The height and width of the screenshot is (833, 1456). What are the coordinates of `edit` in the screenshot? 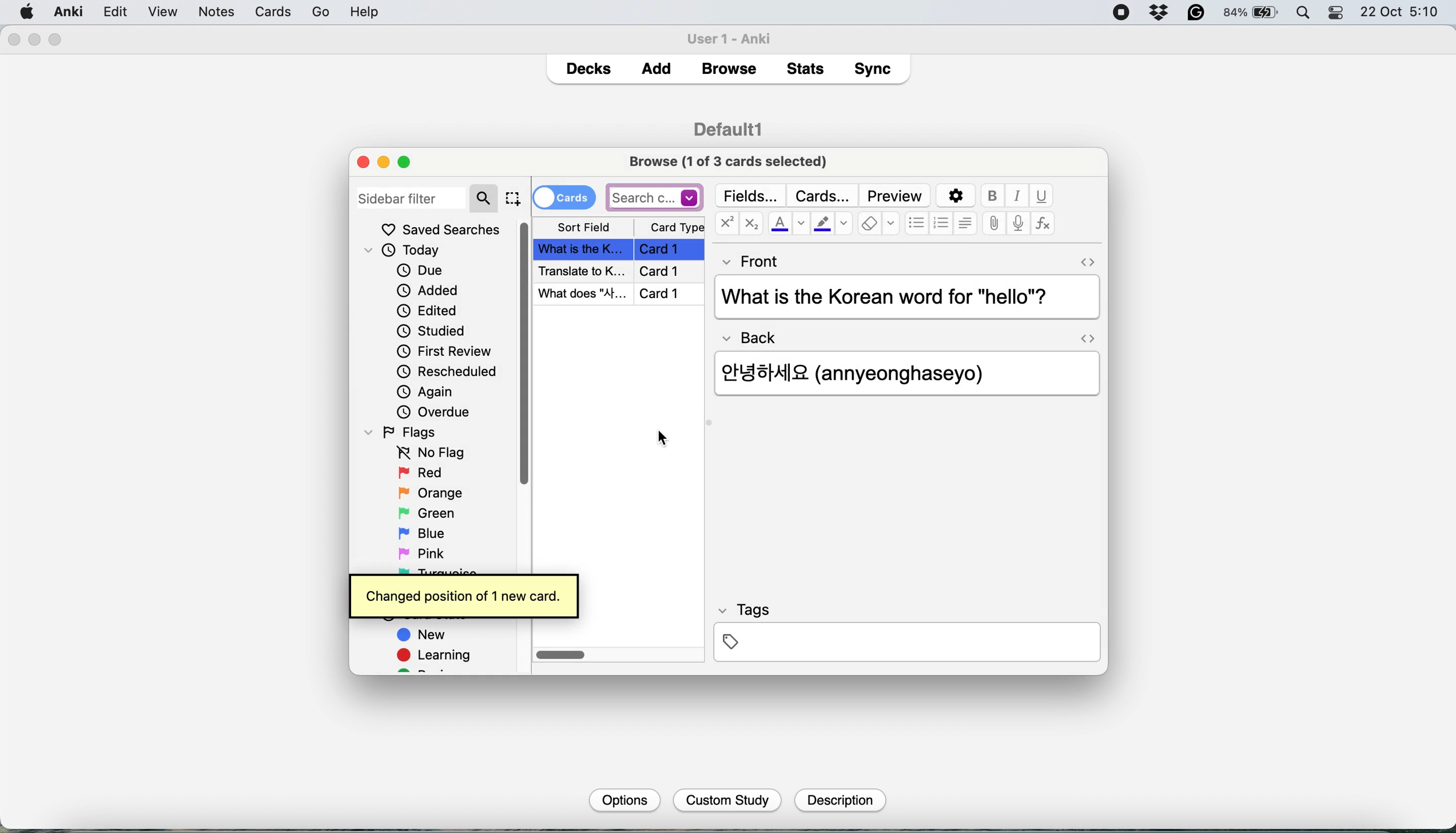 It's located at (162, 13).